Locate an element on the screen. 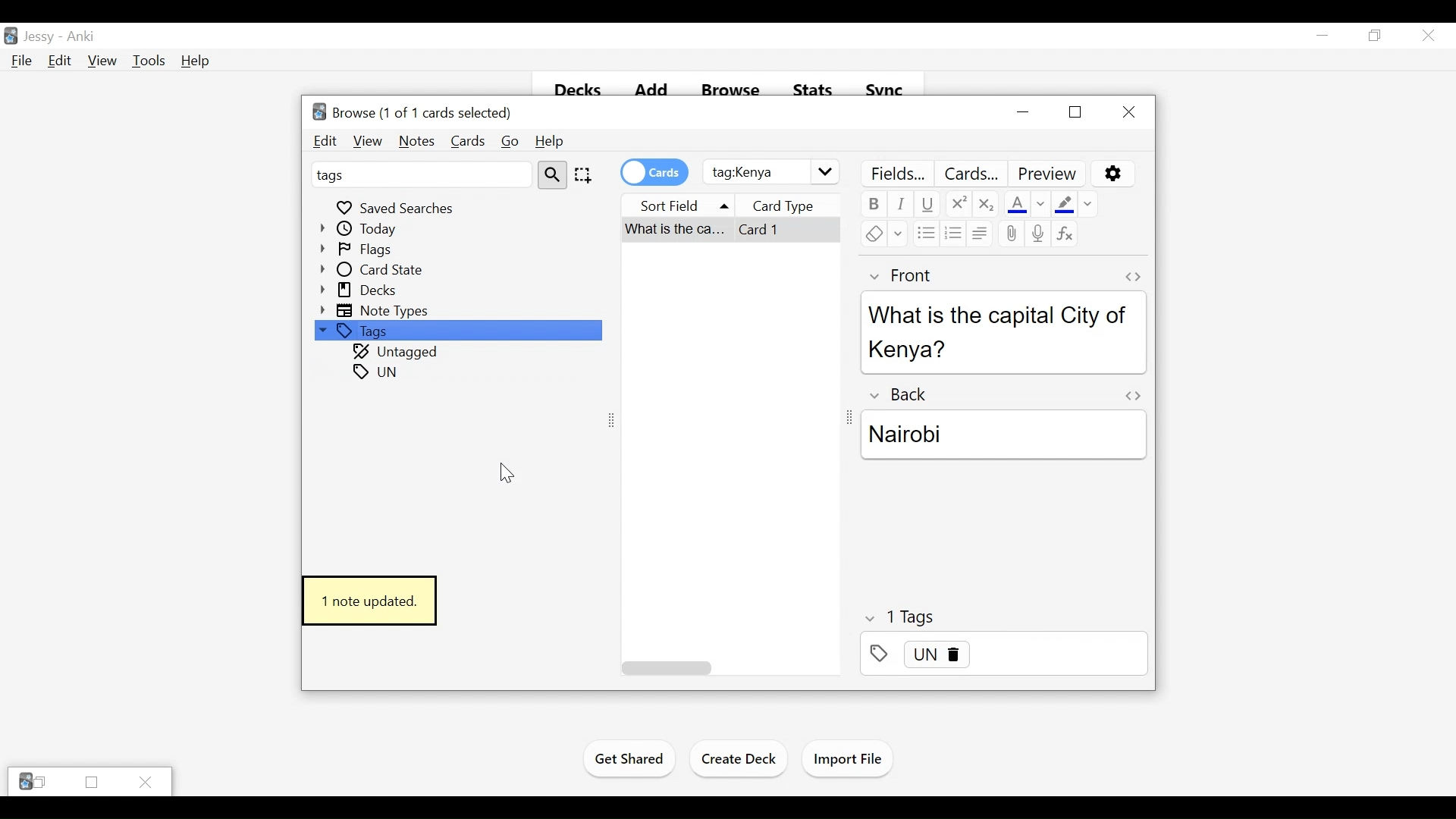 The width and height of the screenshot is (1456, 819). Italics is located at coordinates (902, 205).